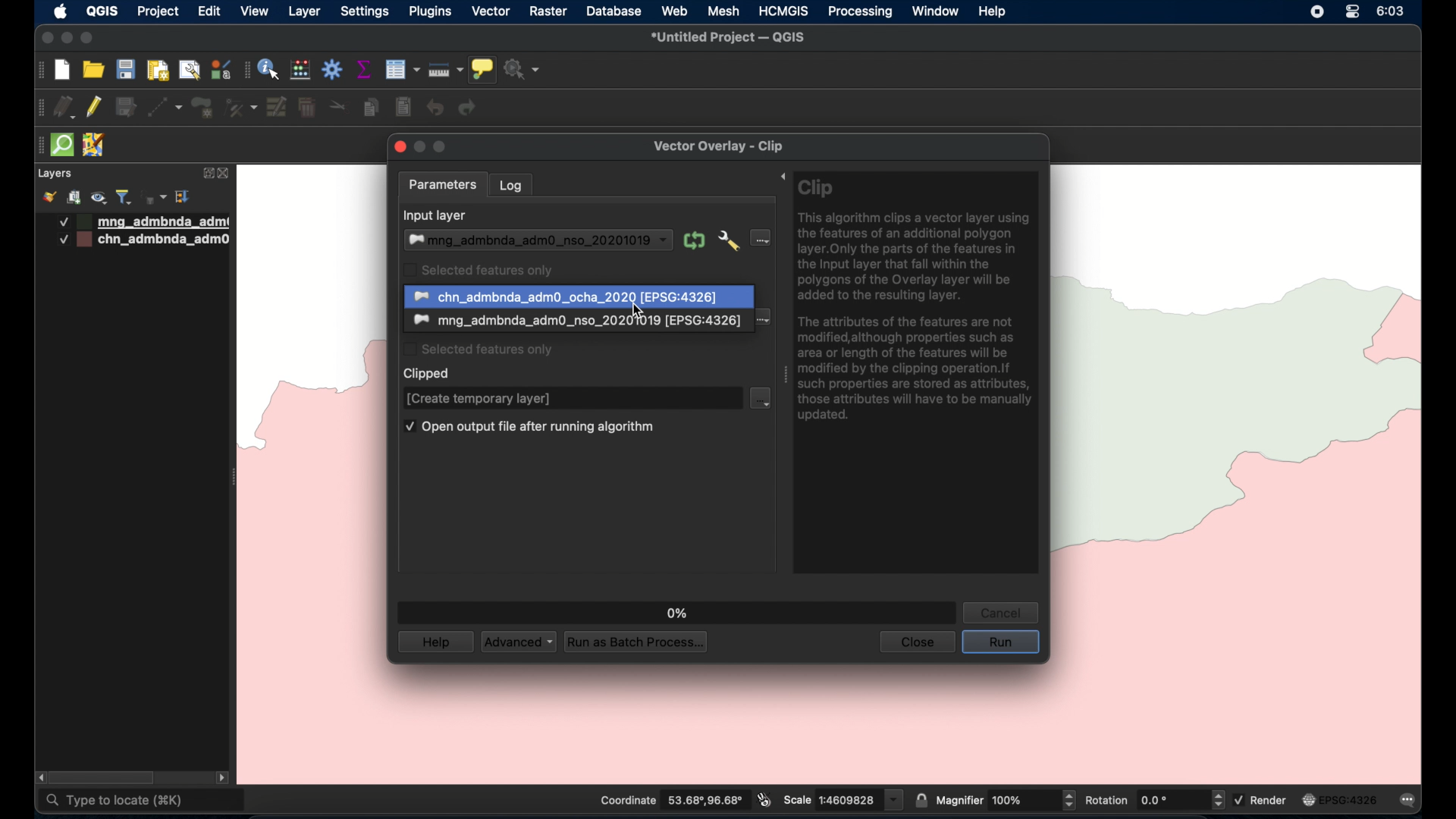 Image resolution: width=1456 pixels, height=819 pixels. I want to click on scale, so click(843, 799).